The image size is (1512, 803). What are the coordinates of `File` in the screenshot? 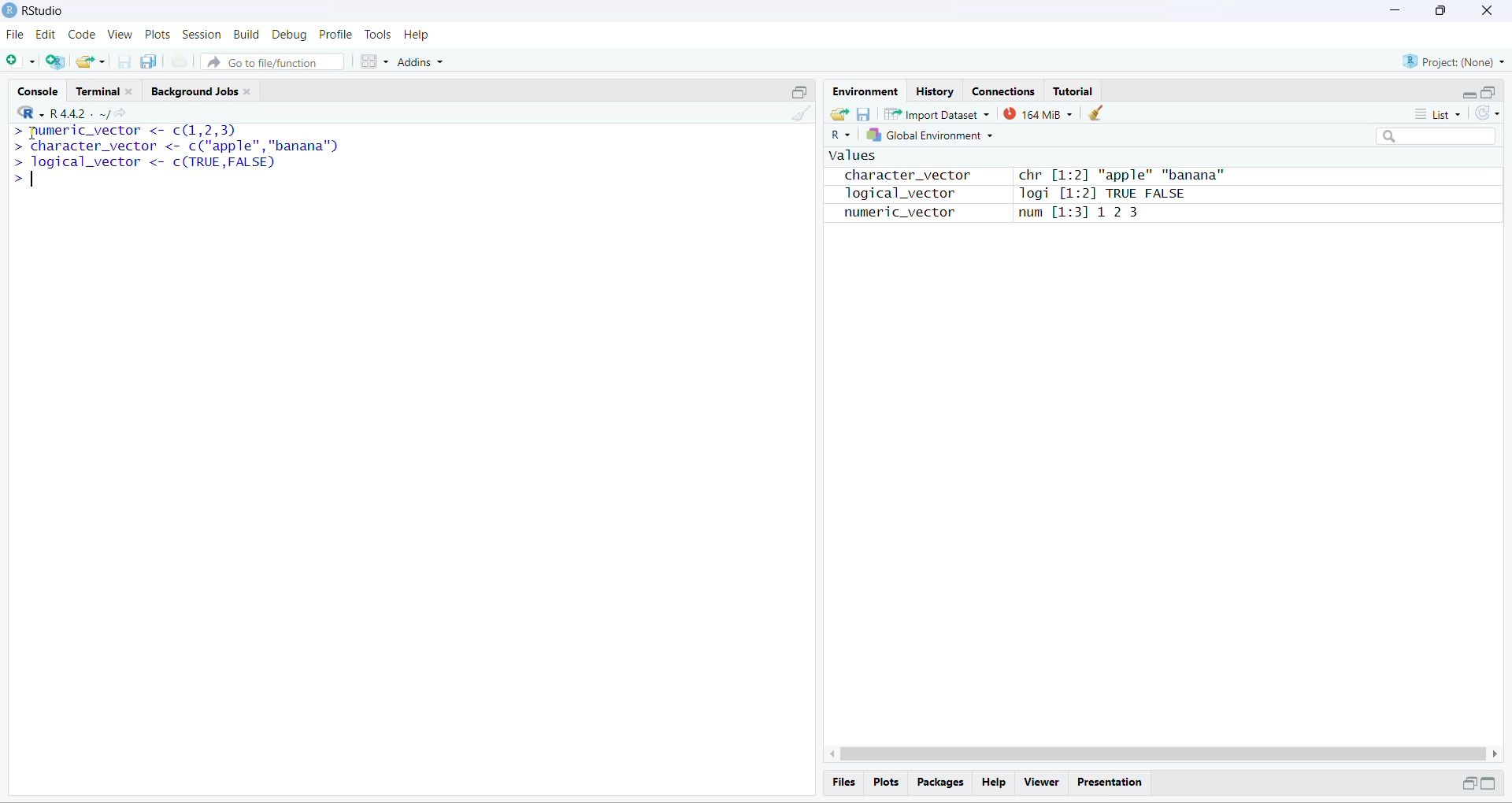 It's located at (16, 35).